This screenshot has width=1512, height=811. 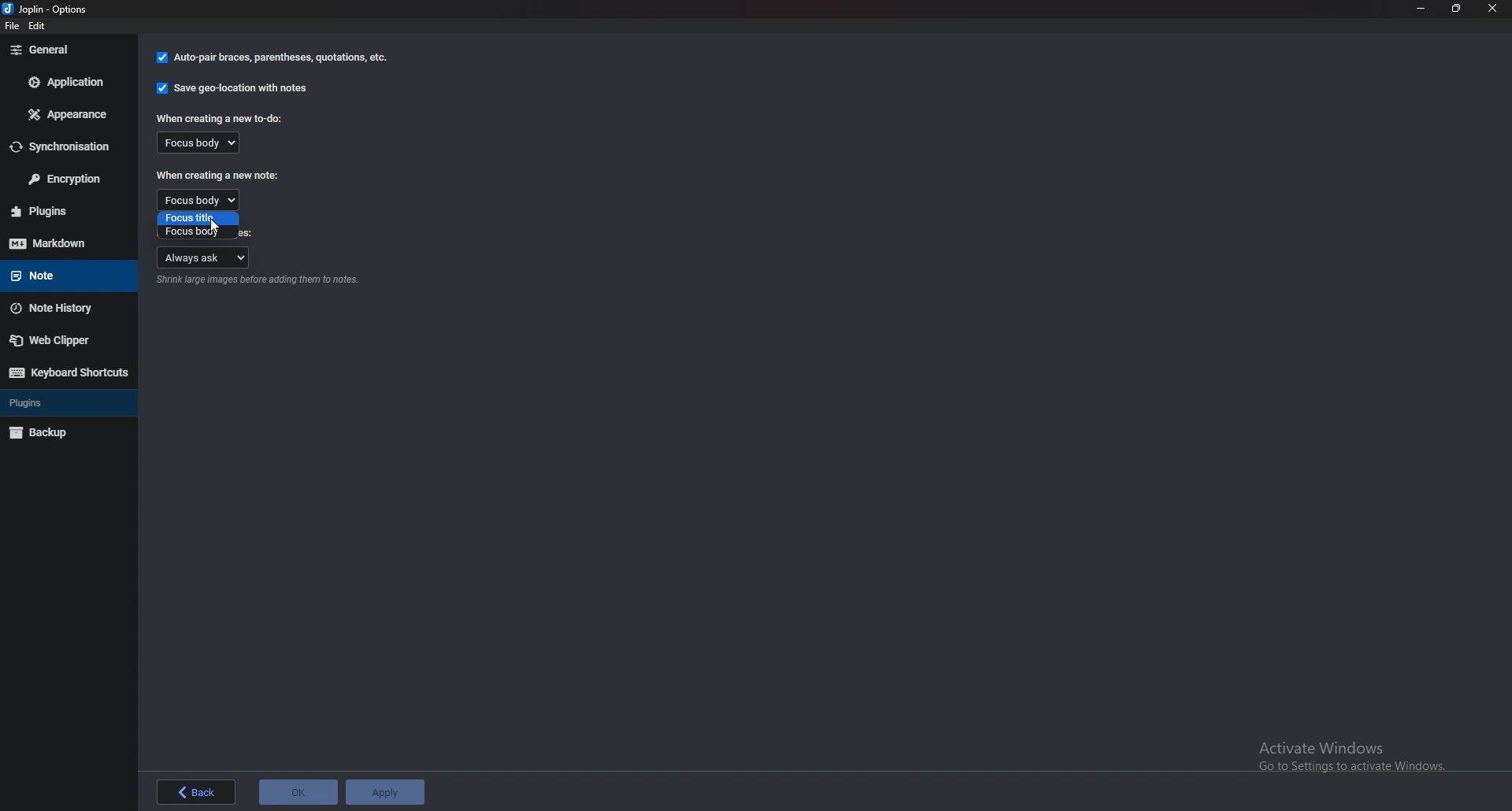 I want to click on Synchronization, so click(x=64, y=147).